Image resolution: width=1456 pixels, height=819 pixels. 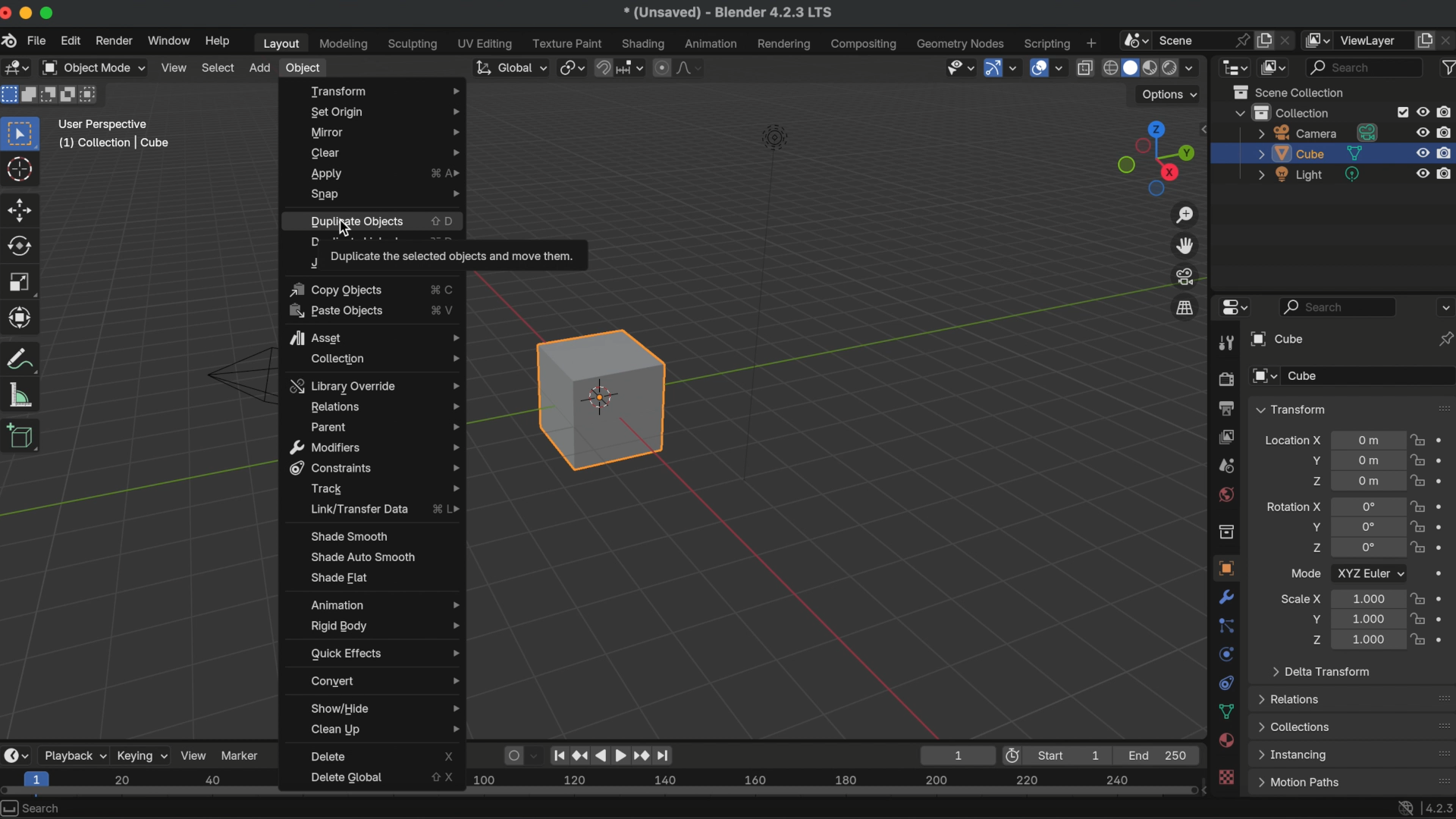 What do you see at coordinates (21, 209) in the screenshot?
I see `move` at bounding box center [21, 209].